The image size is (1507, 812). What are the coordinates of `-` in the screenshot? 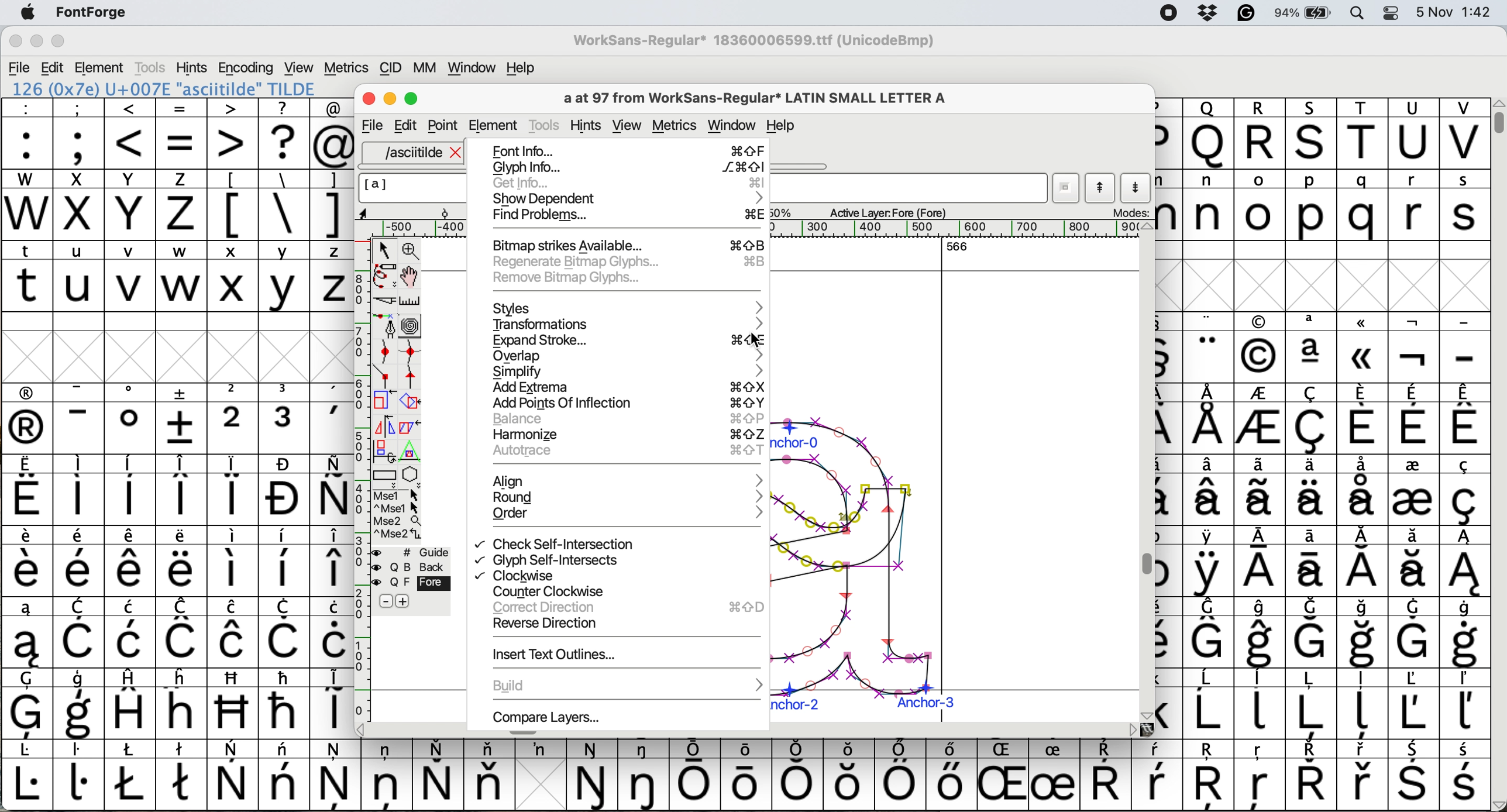 It's located at (1465, 349).